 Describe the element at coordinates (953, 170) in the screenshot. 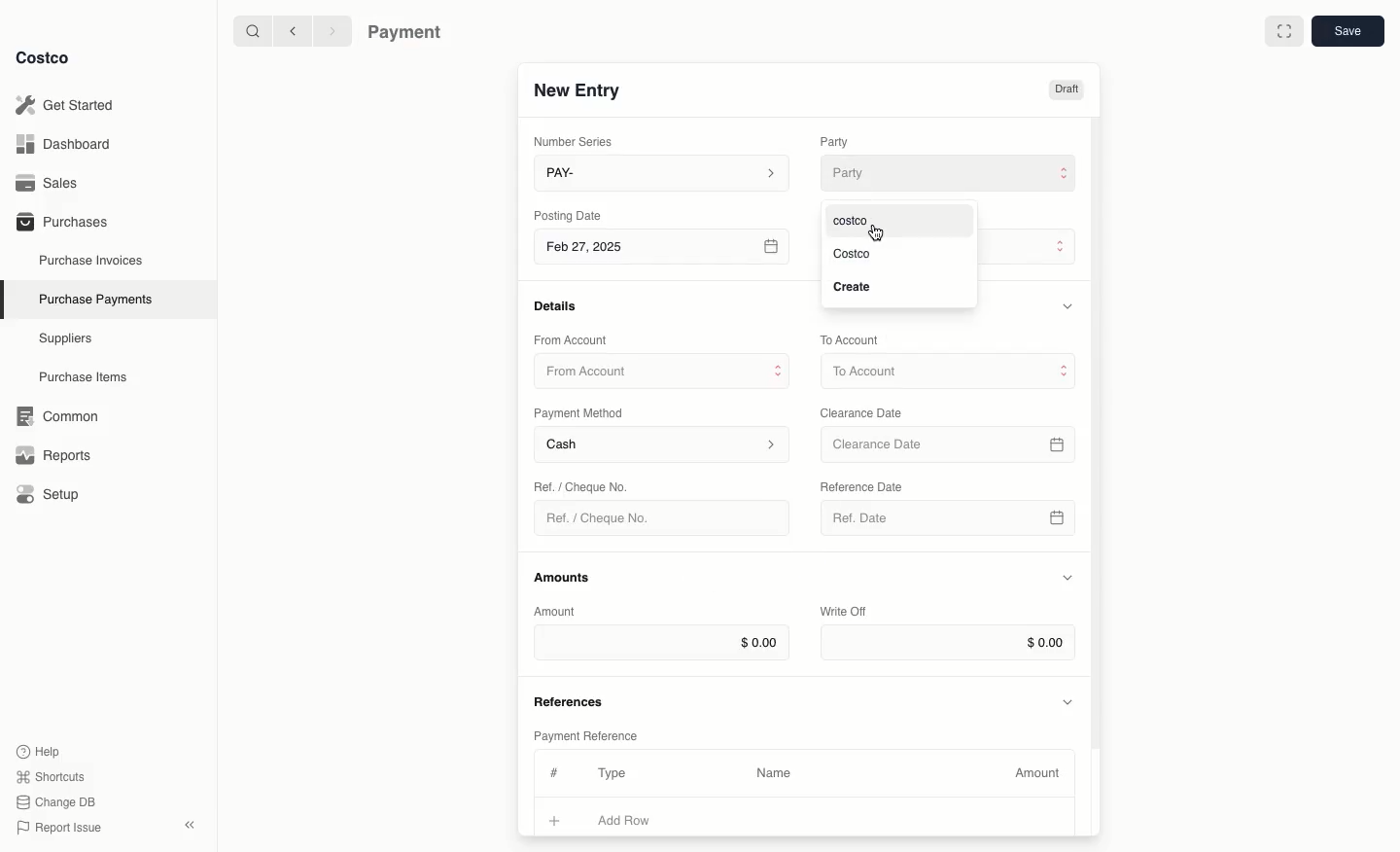

I see `Party` at that location.